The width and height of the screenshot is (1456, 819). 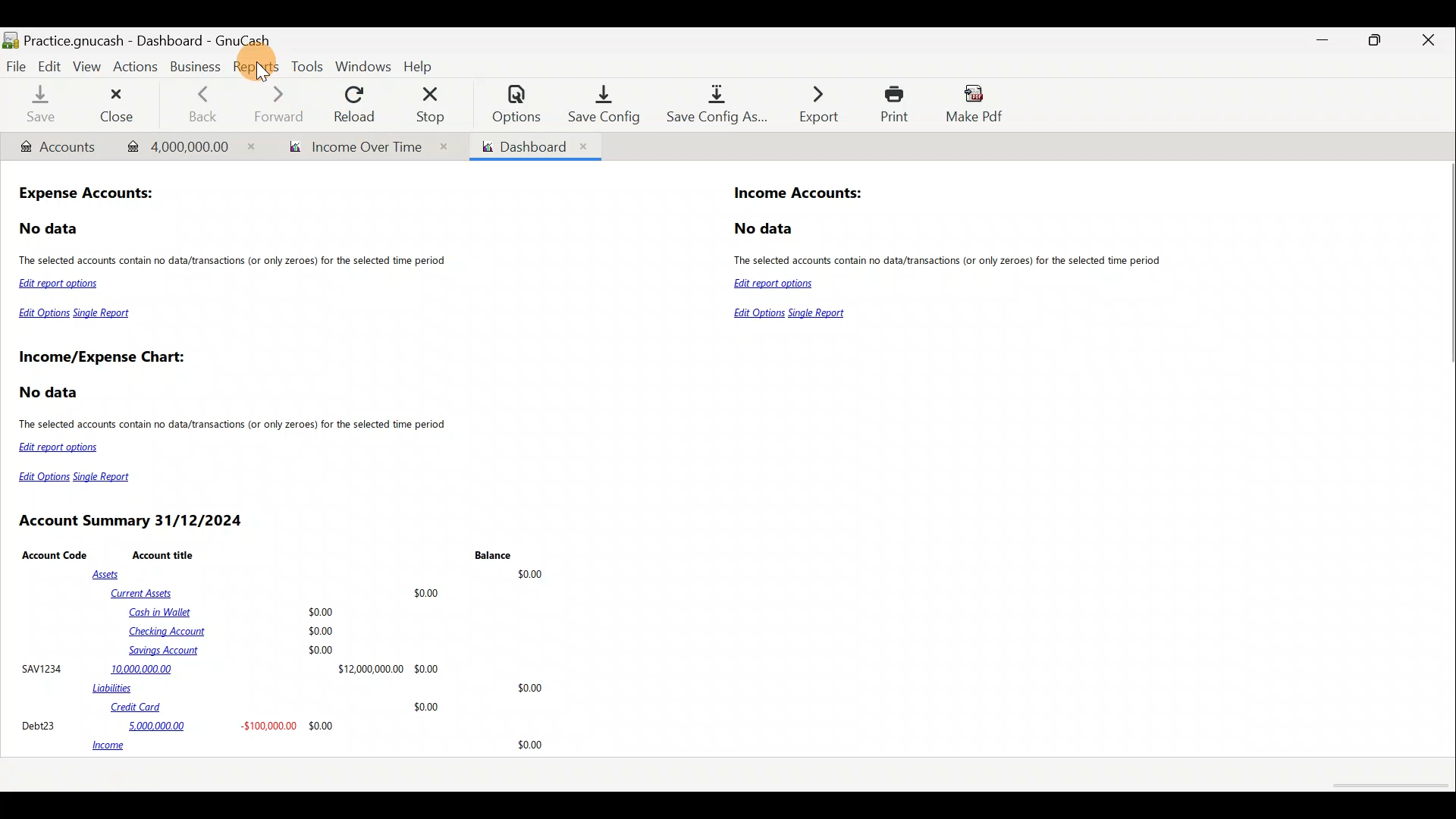 I want to click on The selected accounts contain no data/transactions (or only zeroes) for the selected time period, so click(x=954, y=260).